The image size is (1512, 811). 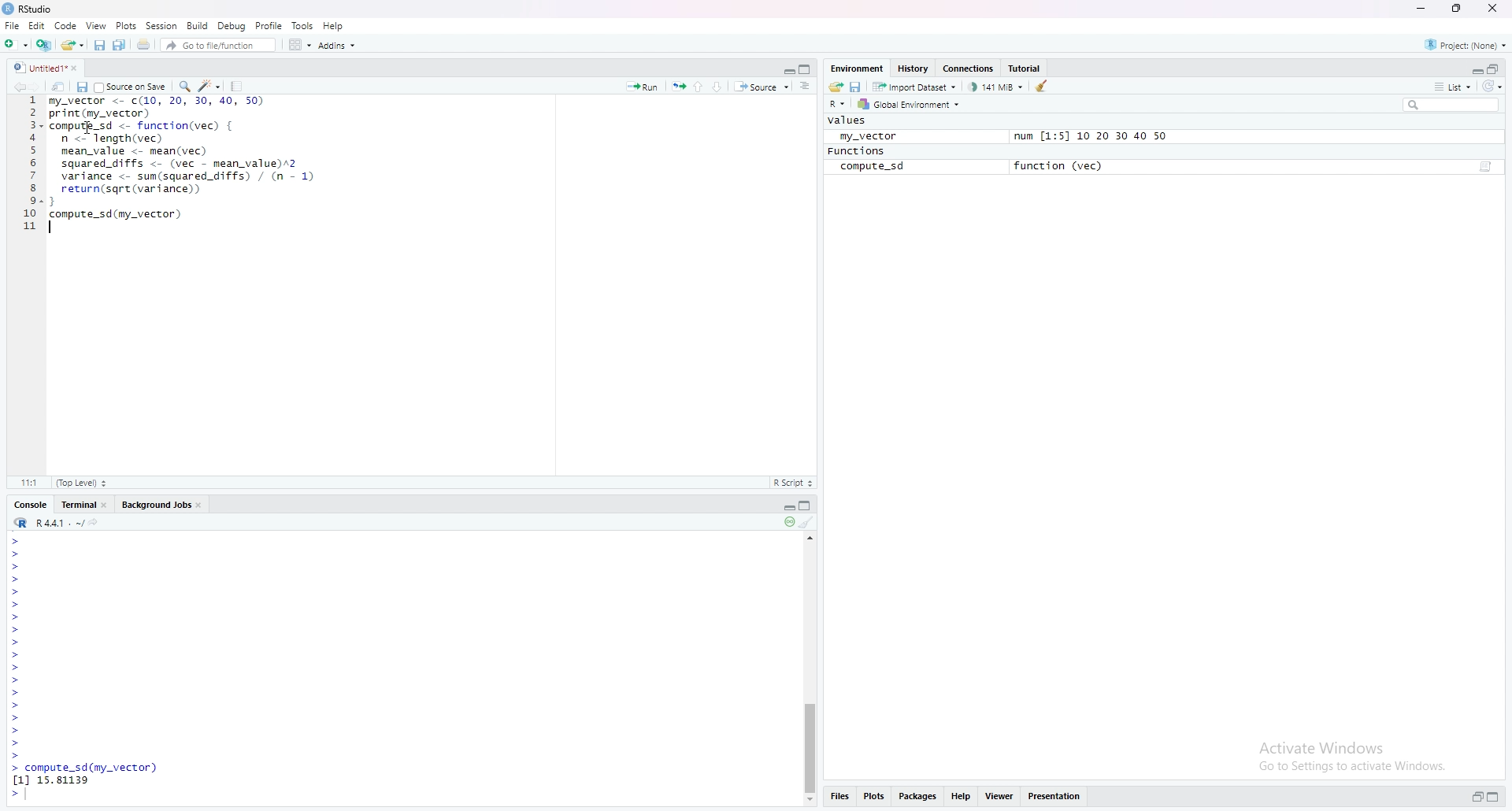 I want to click on Prompt cursor, so click(x=17, y=795).